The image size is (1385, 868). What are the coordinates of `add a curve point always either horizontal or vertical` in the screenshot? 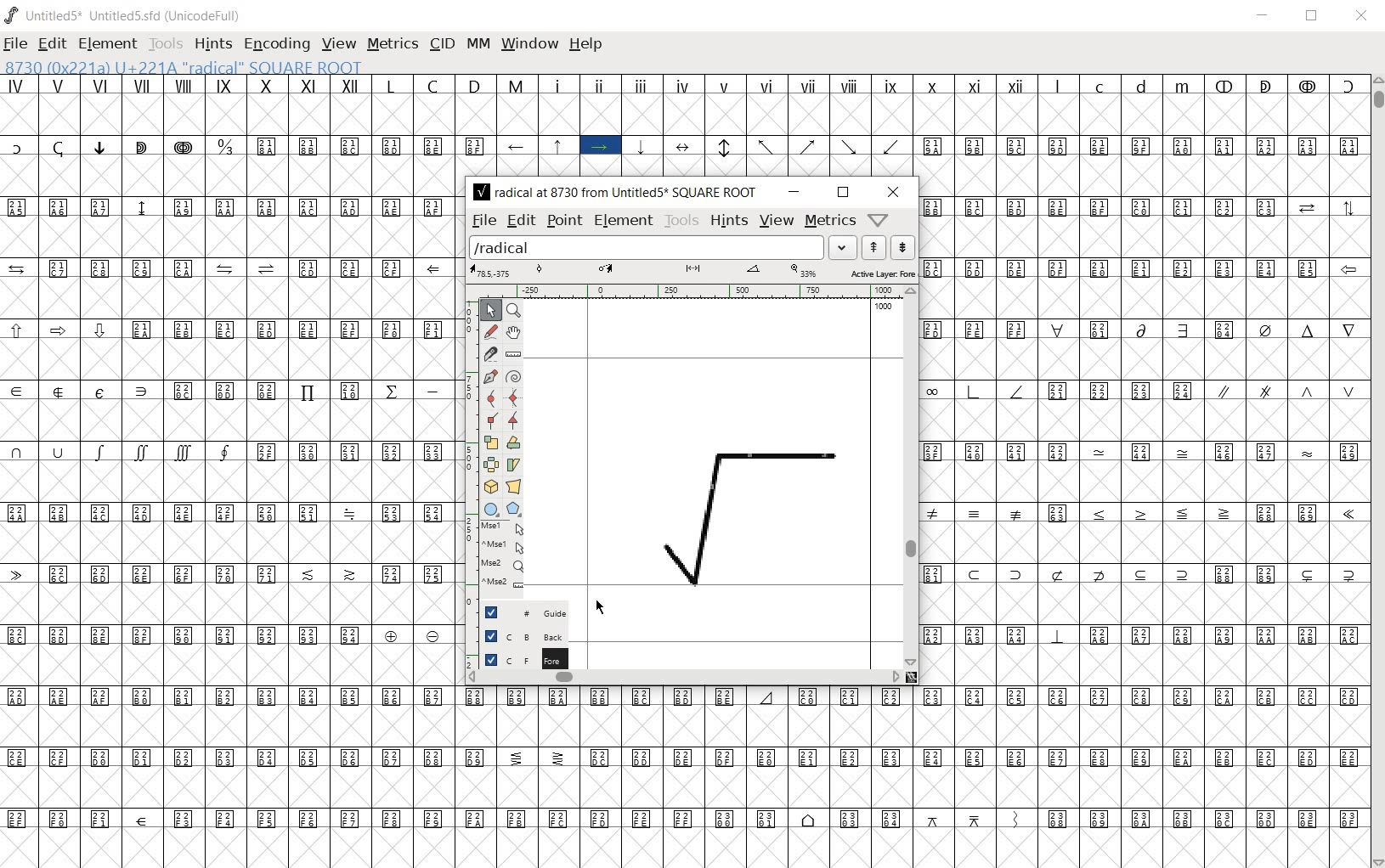 It's located at (511, 397).